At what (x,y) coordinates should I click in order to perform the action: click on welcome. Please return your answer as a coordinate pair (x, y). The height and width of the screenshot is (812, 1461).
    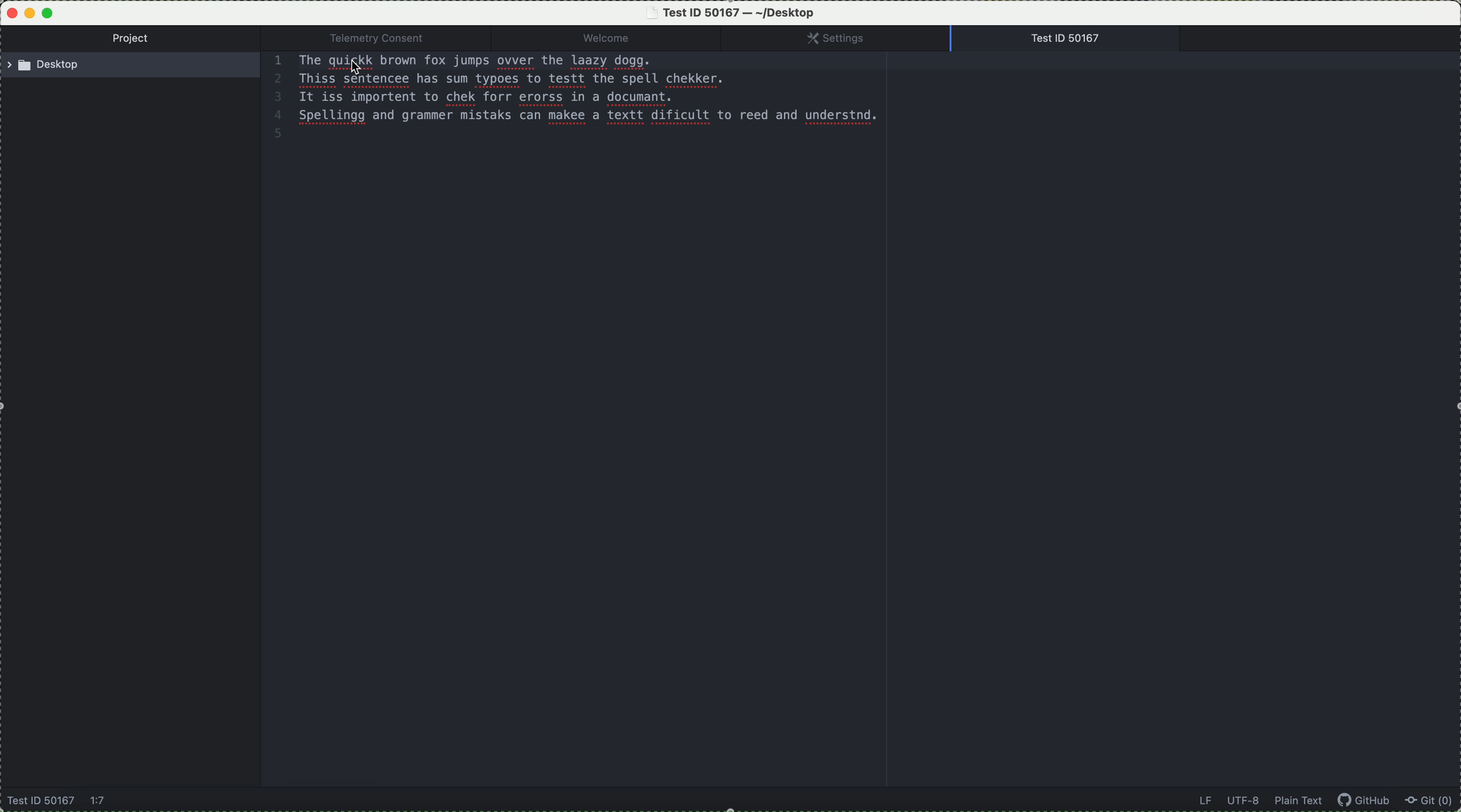
    Looking at the image, I should click on (624, 39).